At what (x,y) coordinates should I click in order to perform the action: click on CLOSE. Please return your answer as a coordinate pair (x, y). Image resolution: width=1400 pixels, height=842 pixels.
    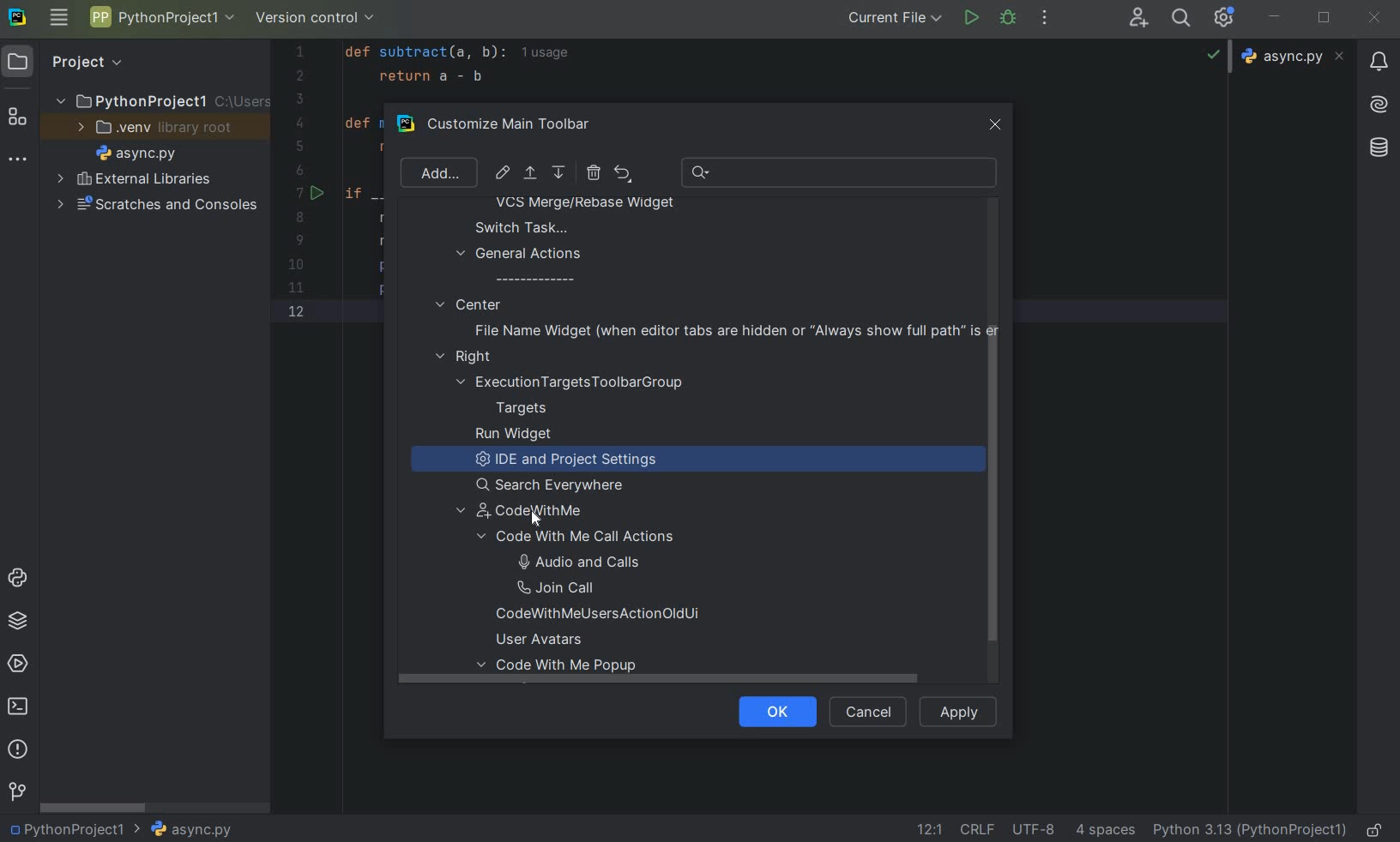
    Looking at the image, I should click on (1373, 19).